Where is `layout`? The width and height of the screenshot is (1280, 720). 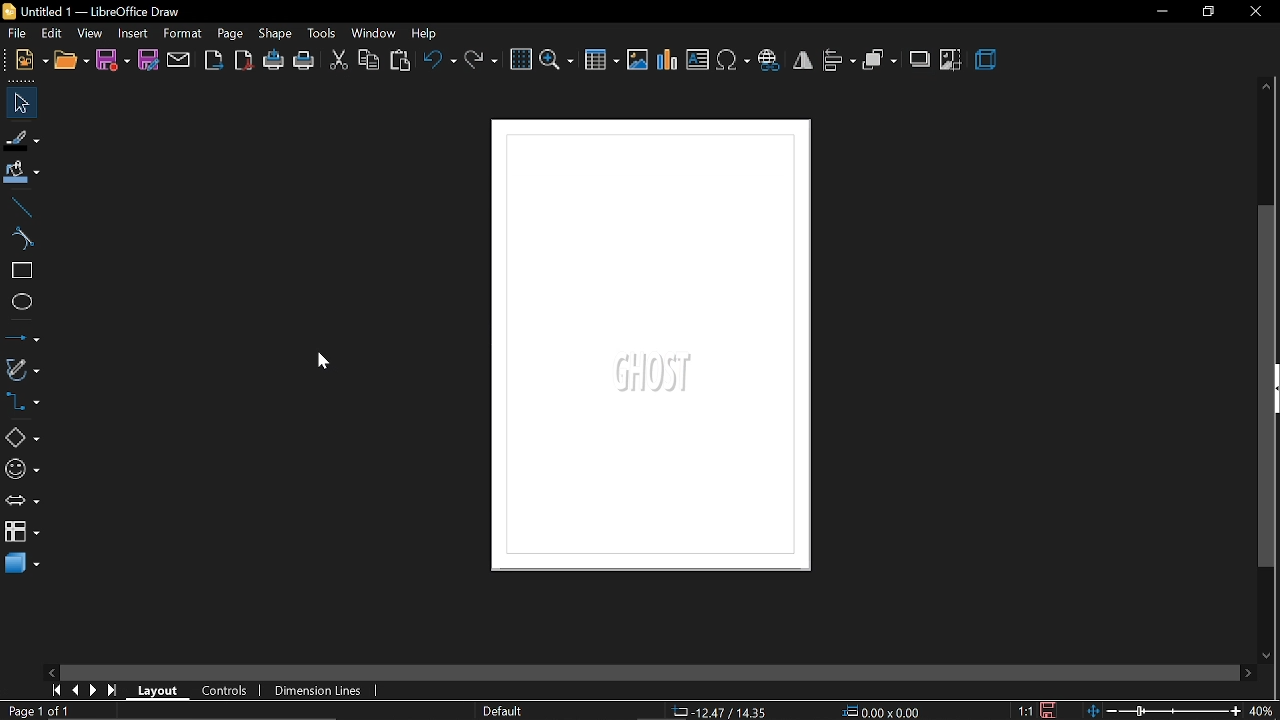
layout is located at coordinates (156, 690).